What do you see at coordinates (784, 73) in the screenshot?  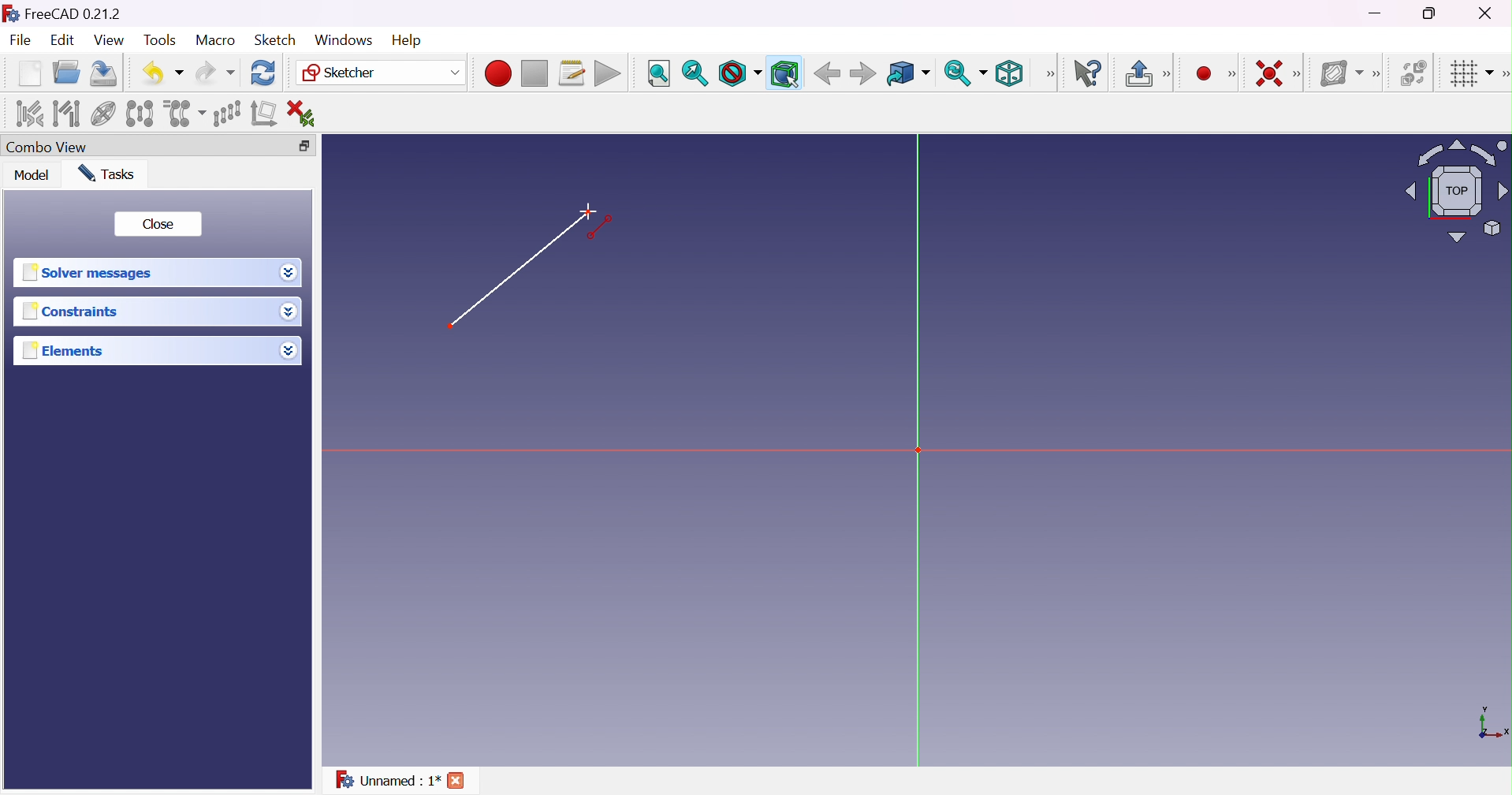 I see `Bounding box` at bounding box center [784, 73].